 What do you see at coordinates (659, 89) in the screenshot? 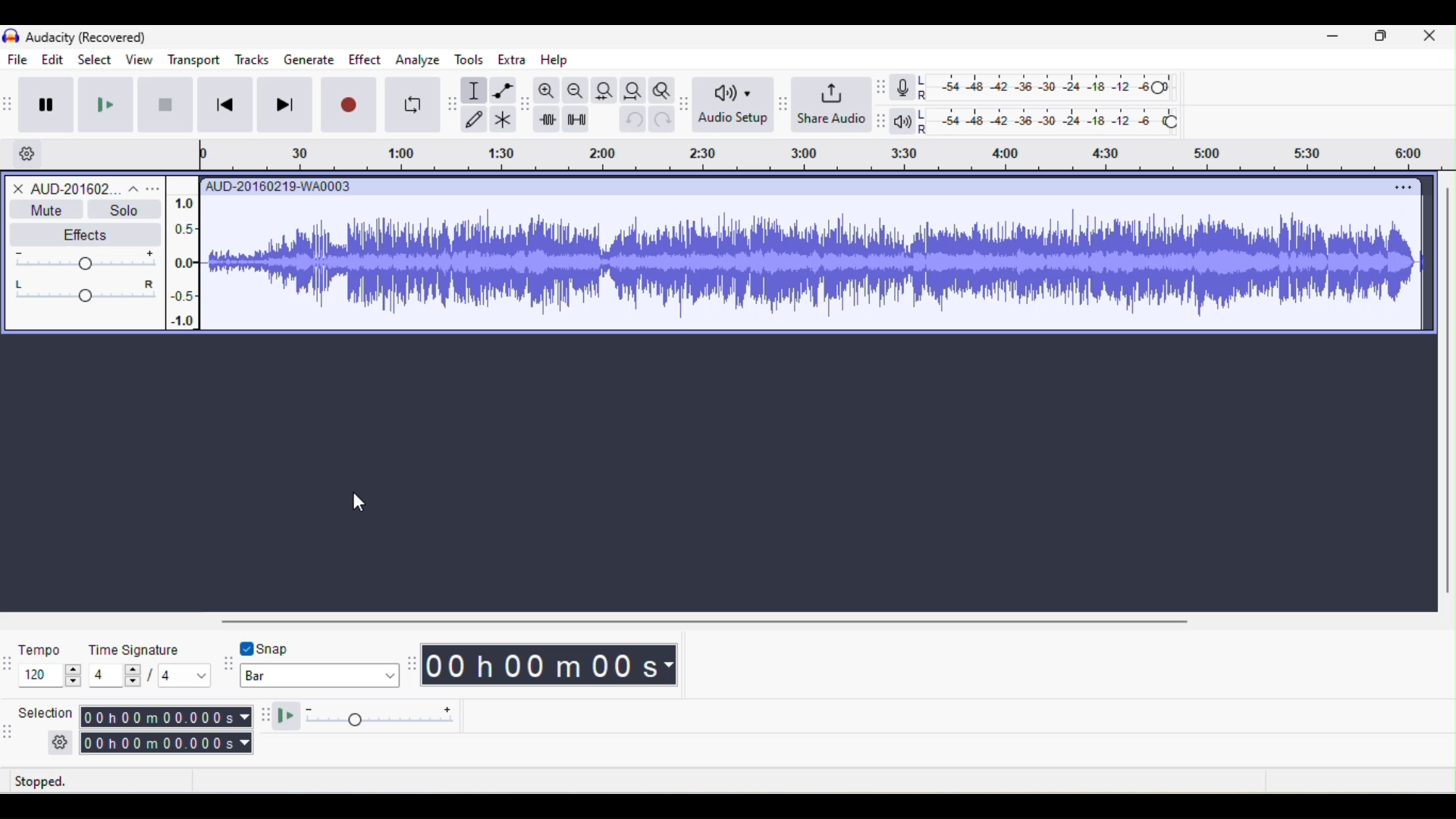
I see `zoom toggle` at bounding box center [659, 89].